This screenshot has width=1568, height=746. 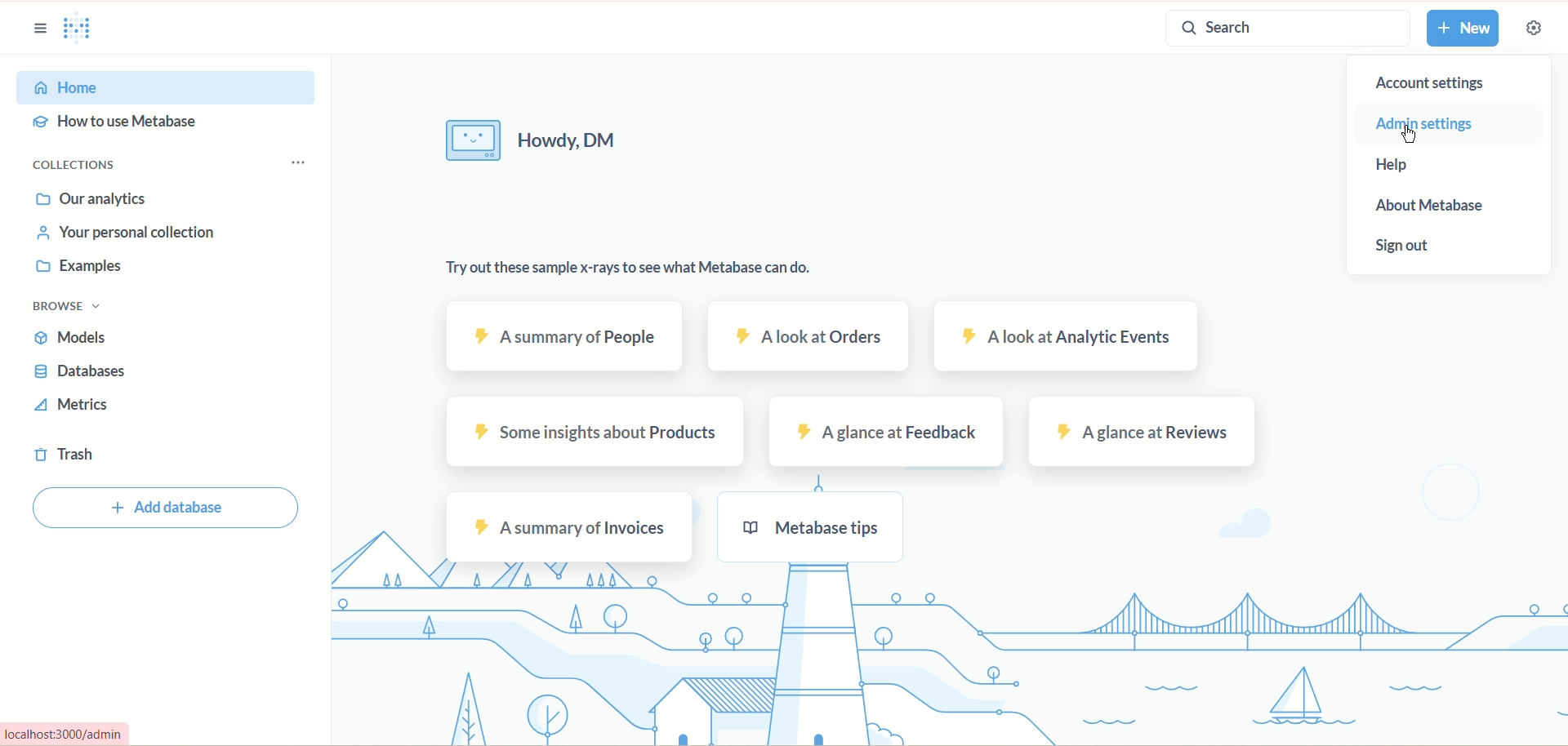 I want to click on trash, so click(x=65, y=454).